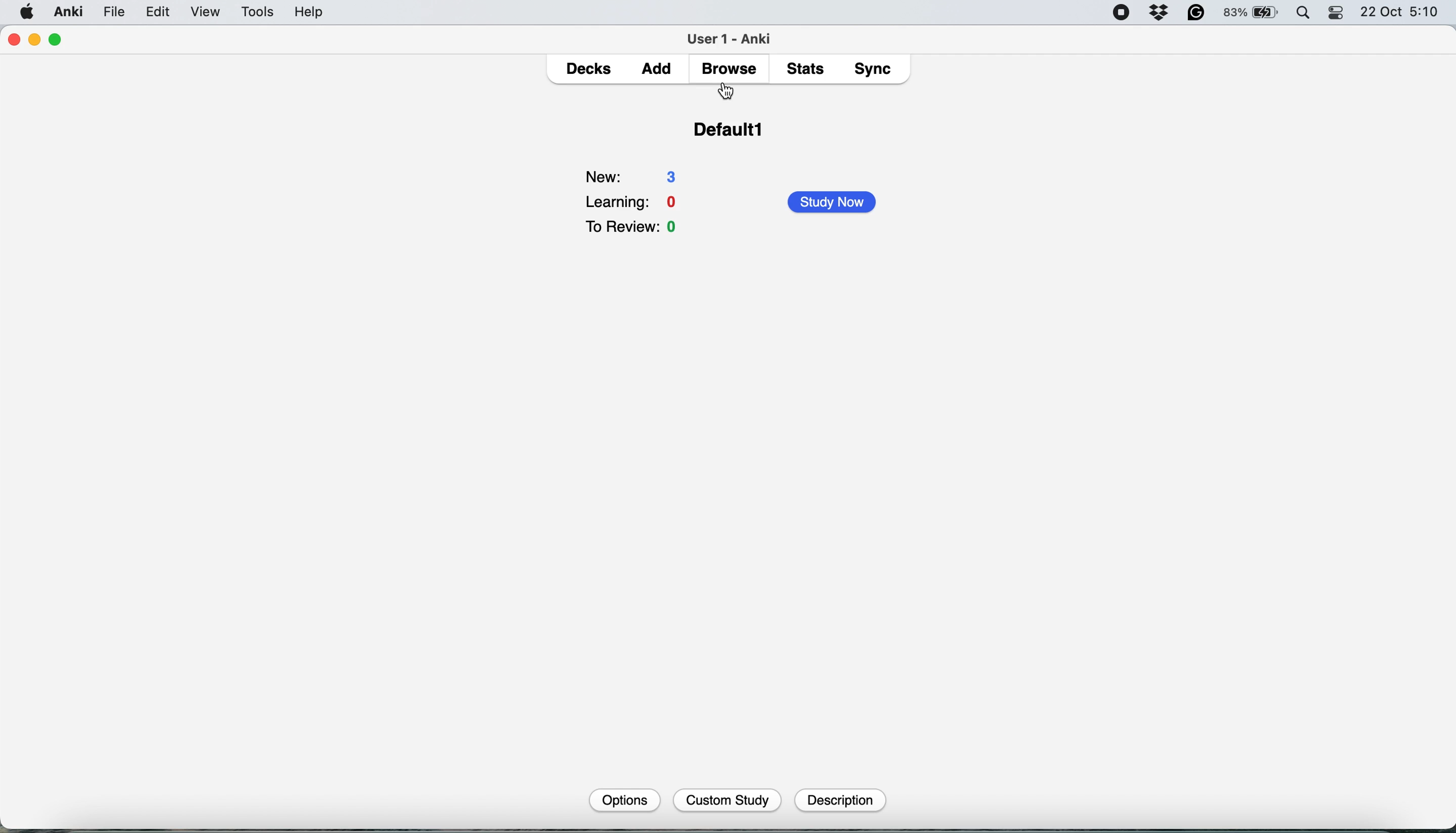 The image size is (1456, 833). What do you see at coordinates (848, 799) in the screenshot?
I see `import file` at bounding box center [848, 799].